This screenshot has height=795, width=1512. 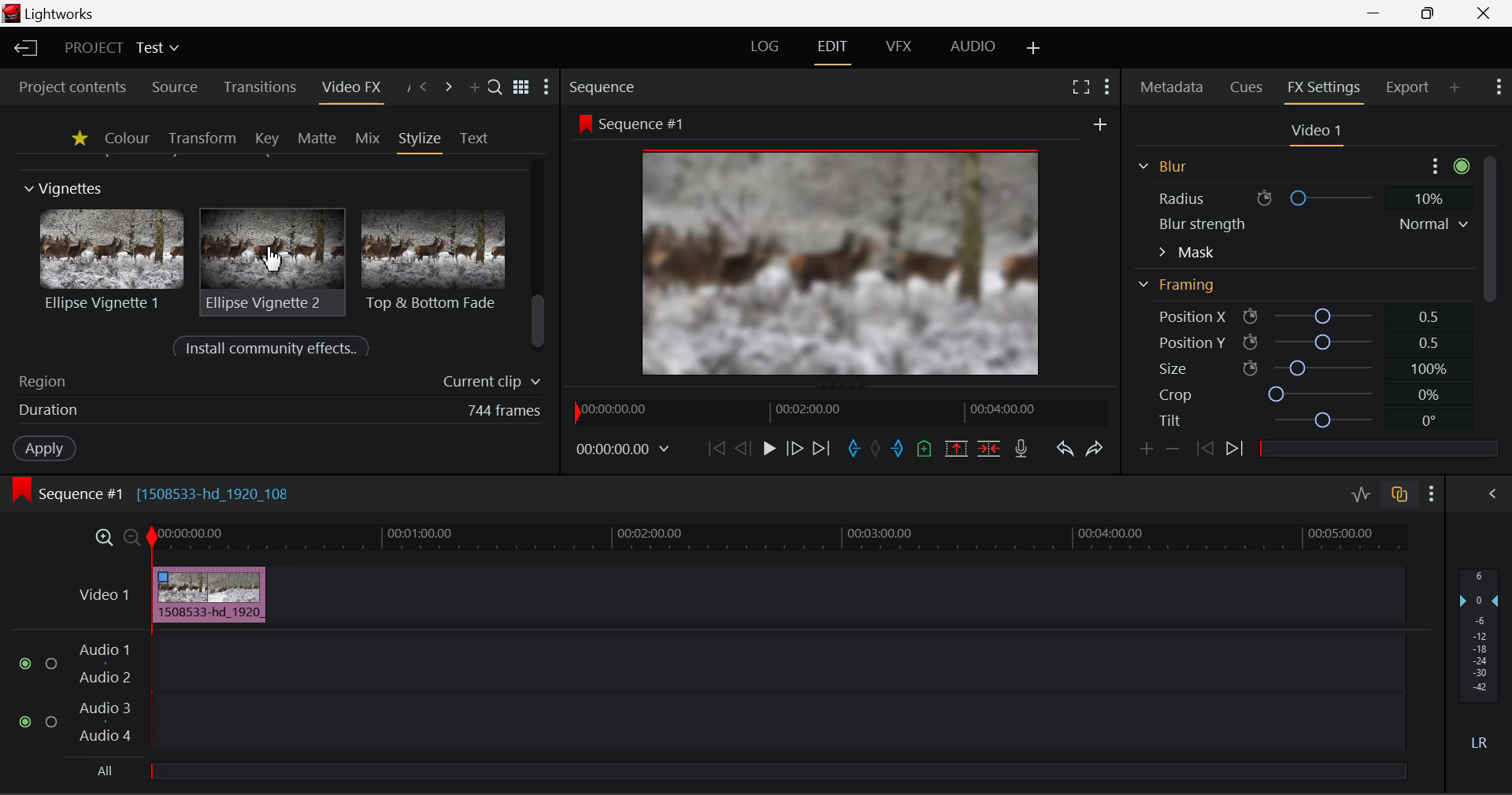 I want to click on LOG Layout, so click(x=770, y=48).